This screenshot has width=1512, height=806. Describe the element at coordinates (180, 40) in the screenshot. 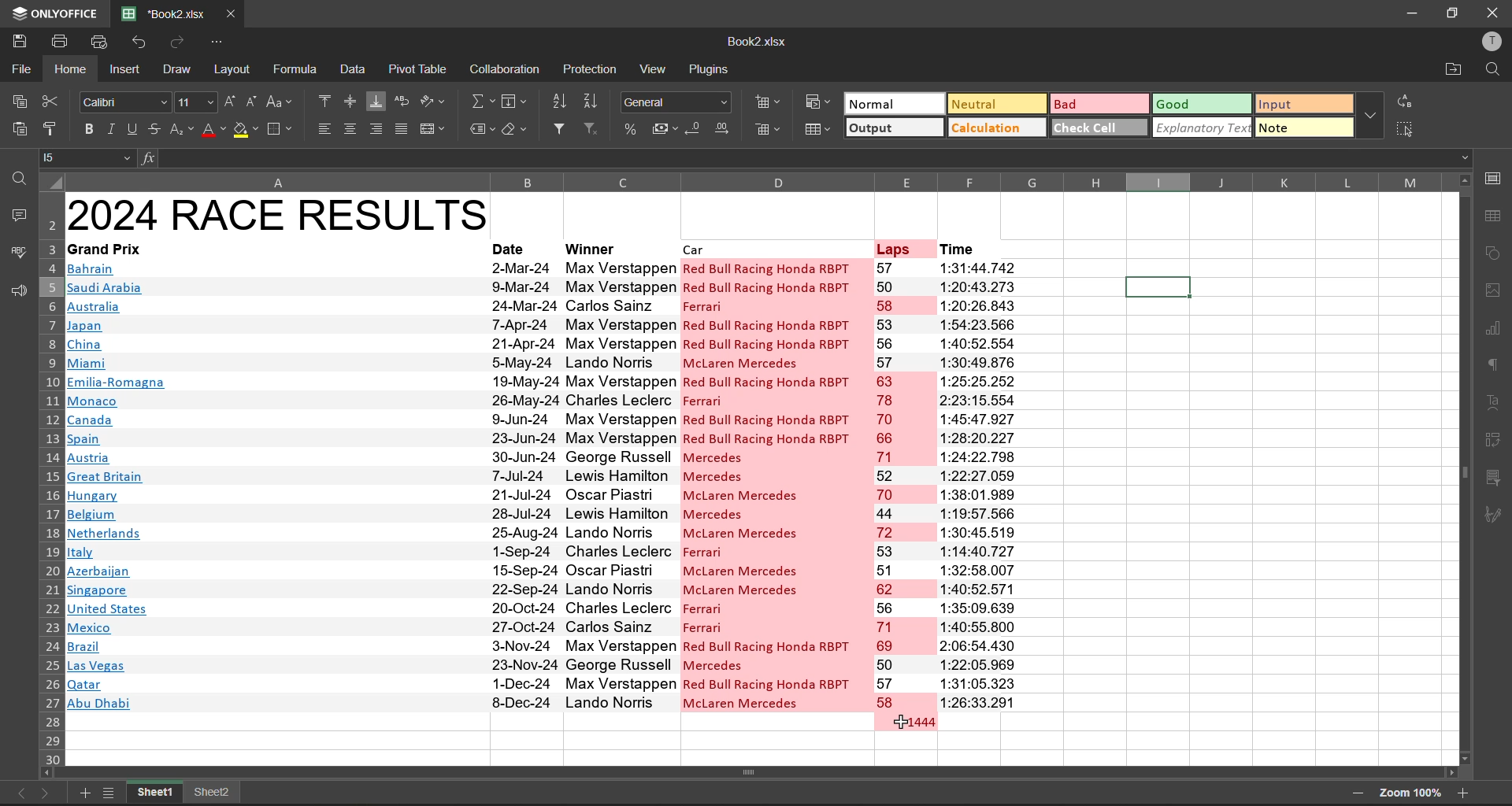

I see `redo` at that location.